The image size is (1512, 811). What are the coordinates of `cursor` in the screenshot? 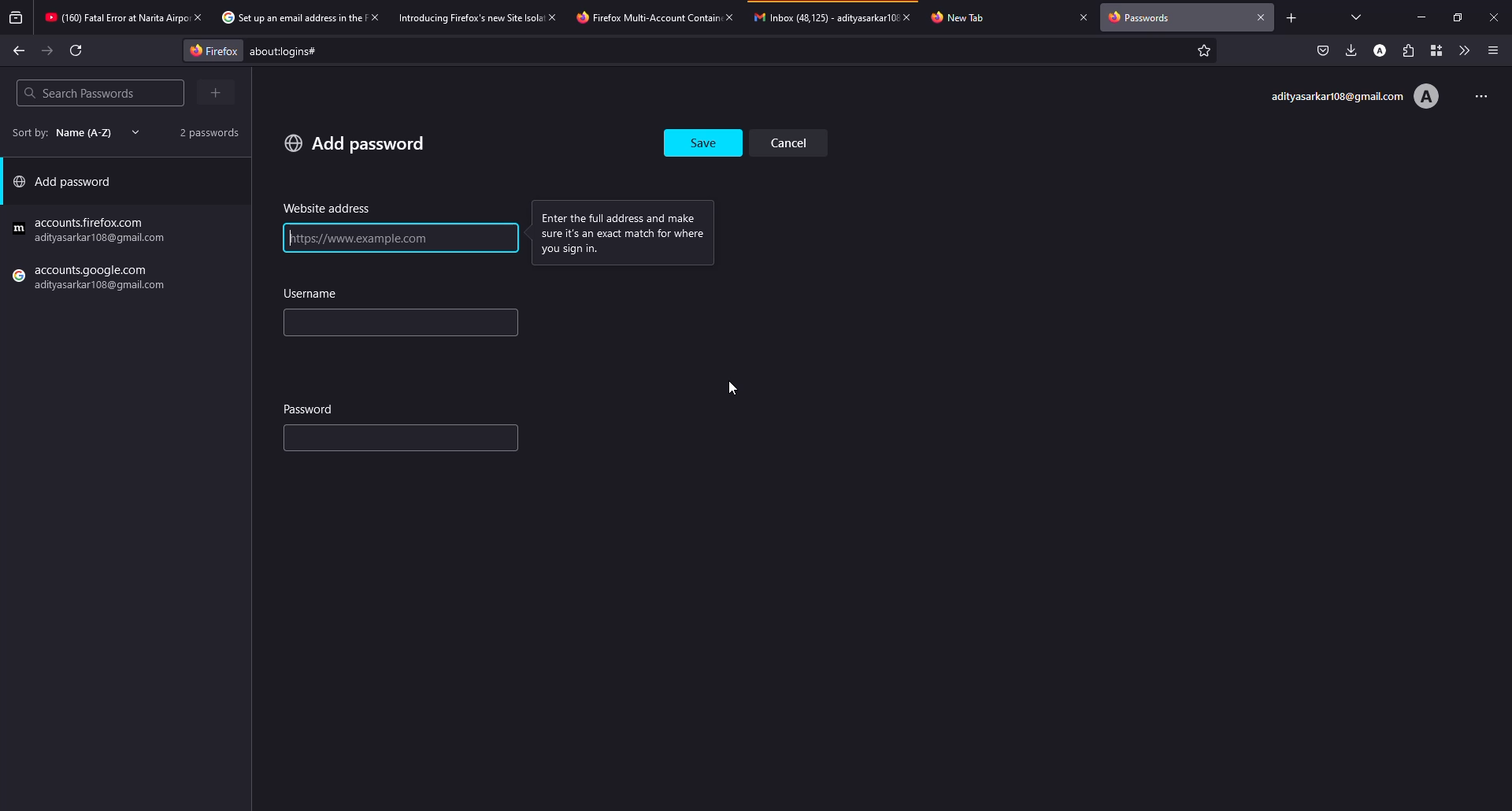 It's located at (727, 389).